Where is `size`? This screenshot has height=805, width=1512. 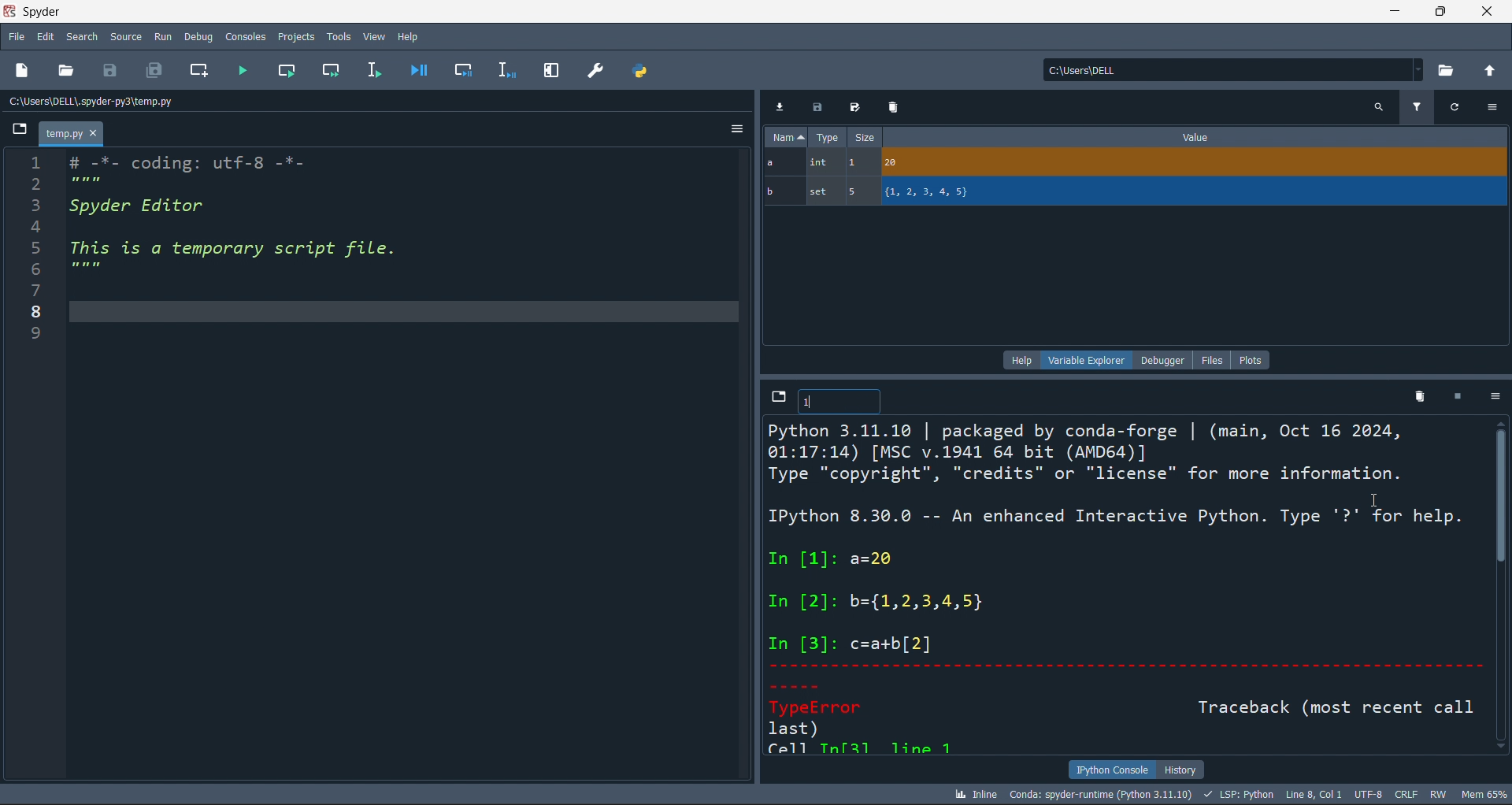
size is located at coordinates (864, 138).